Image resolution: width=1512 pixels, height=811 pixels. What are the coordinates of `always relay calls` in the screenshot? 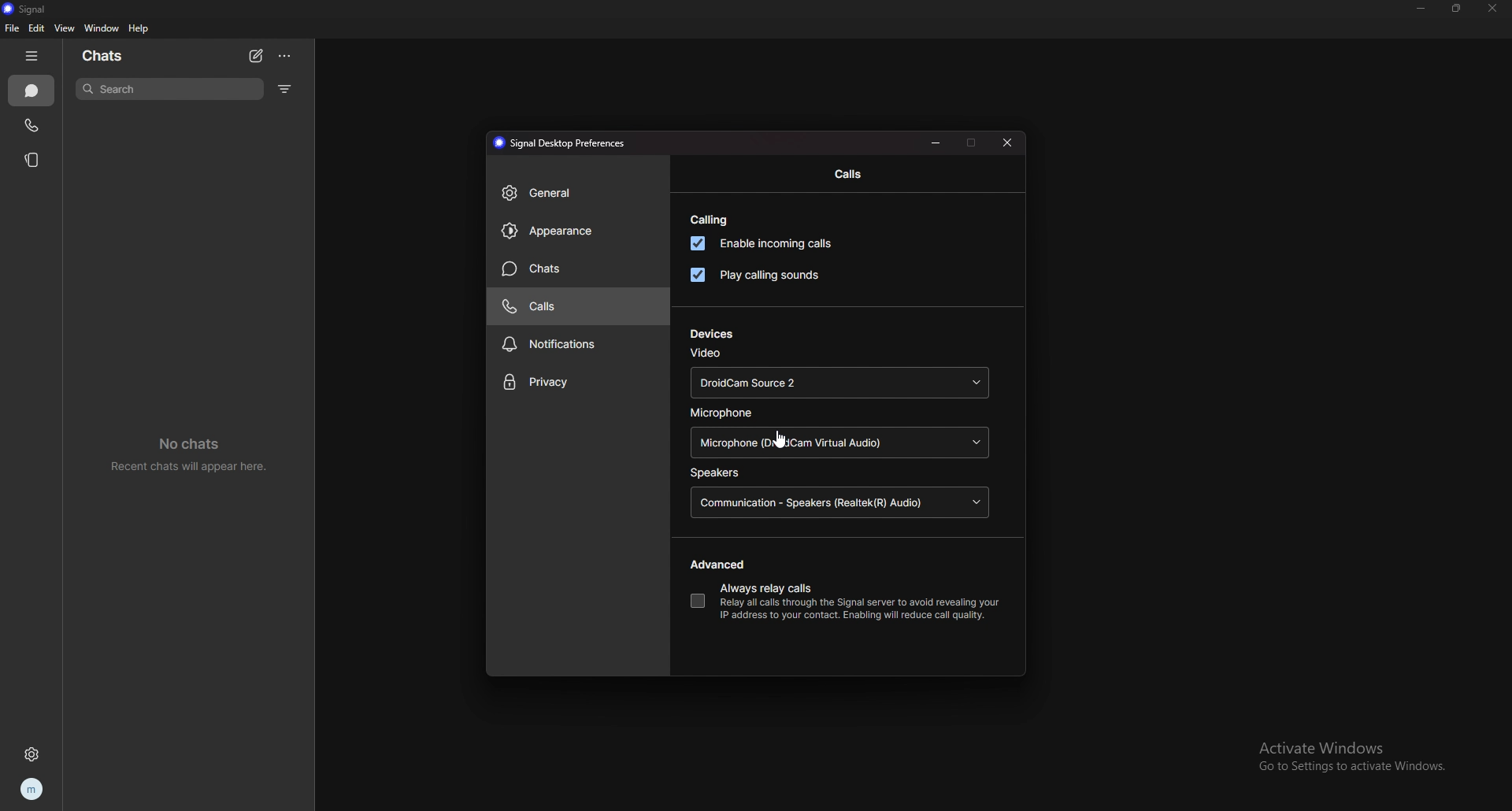 It's located at (768, 590).